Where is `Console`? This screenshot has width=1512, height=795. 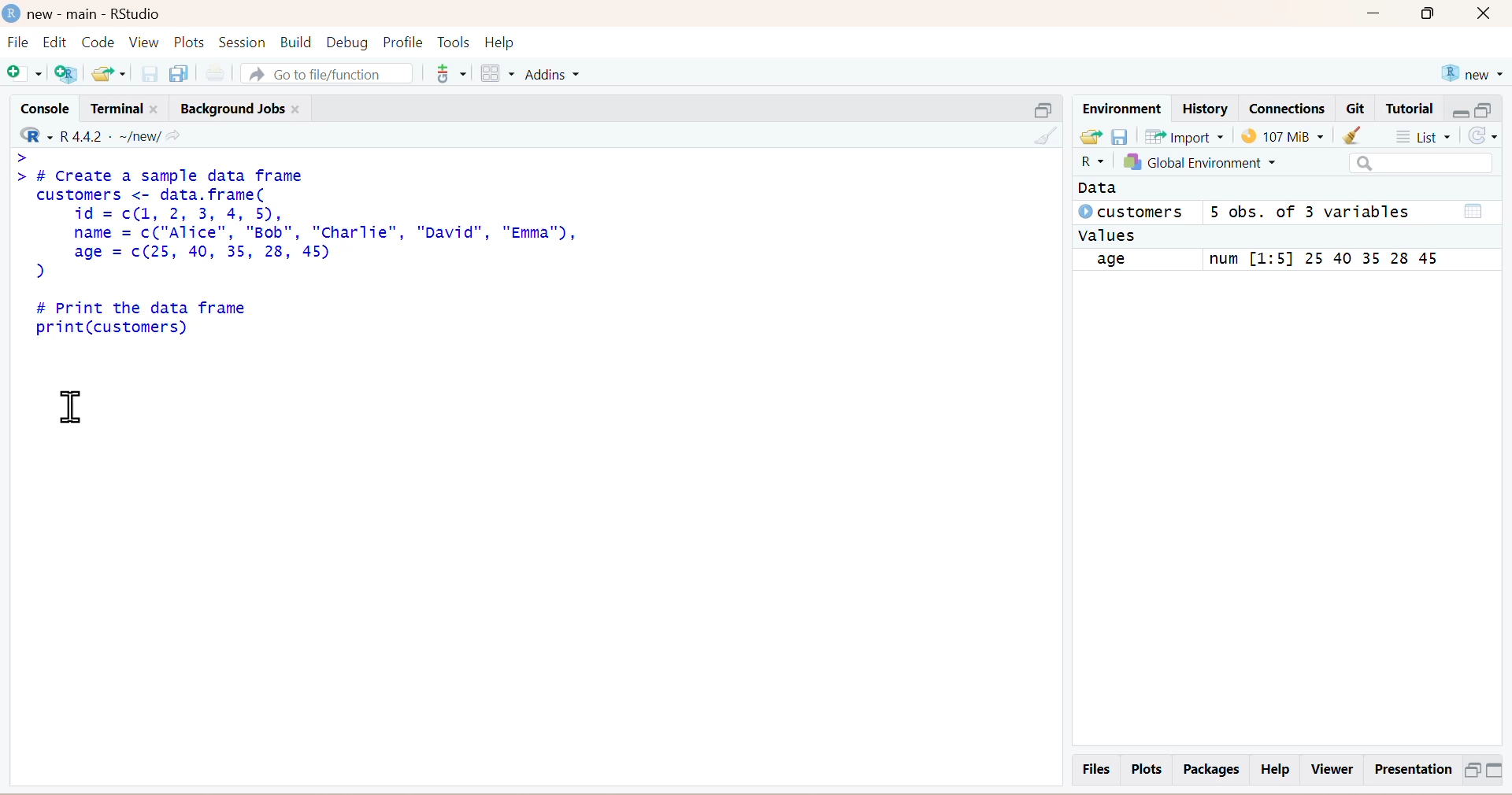 Console is located at coordinates (41, 106).